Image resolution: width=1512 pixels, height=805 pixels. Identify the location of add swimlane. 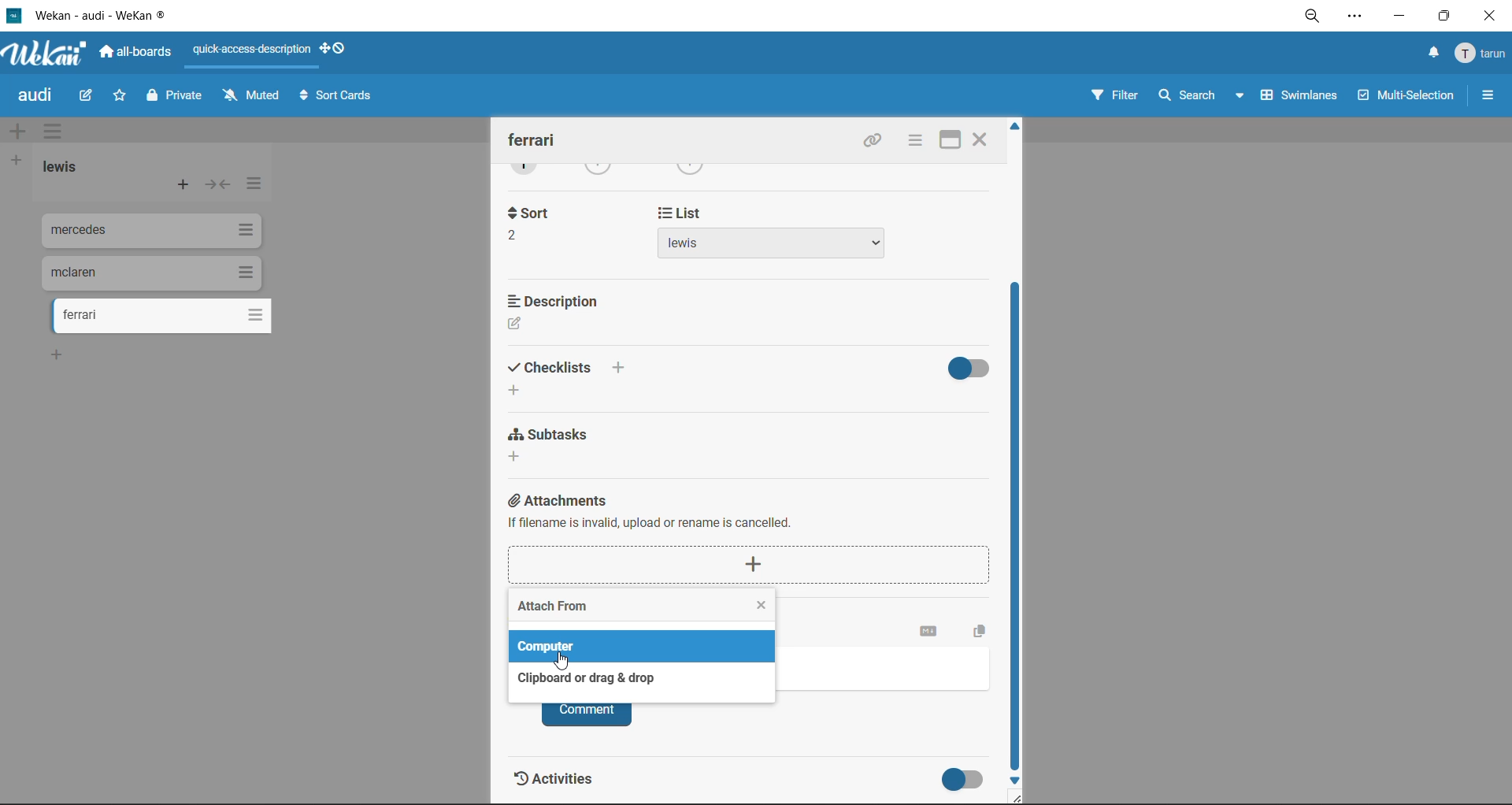
(17, 133).